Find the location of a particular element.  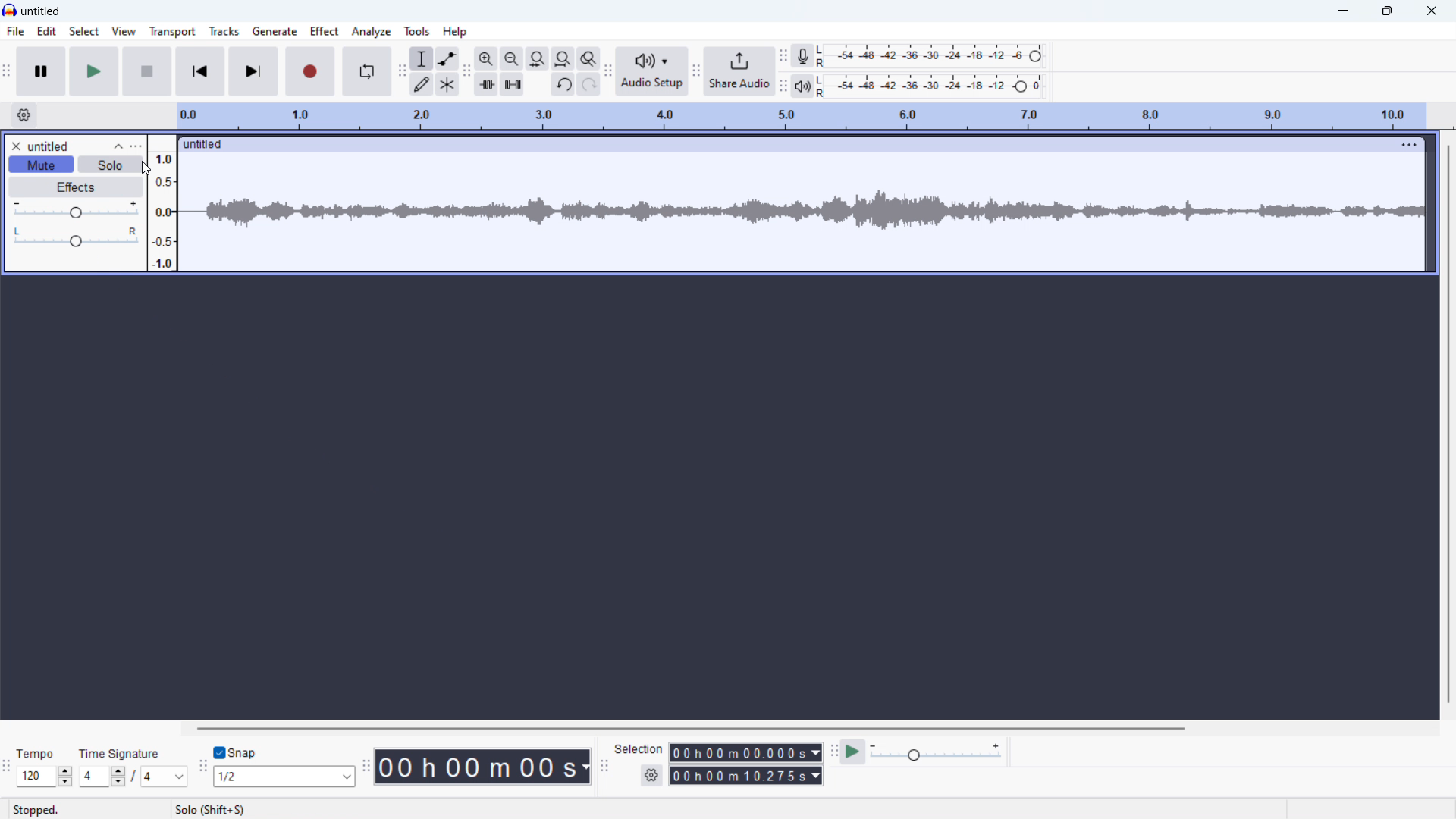

share audio is located at coordinates (739, 71).